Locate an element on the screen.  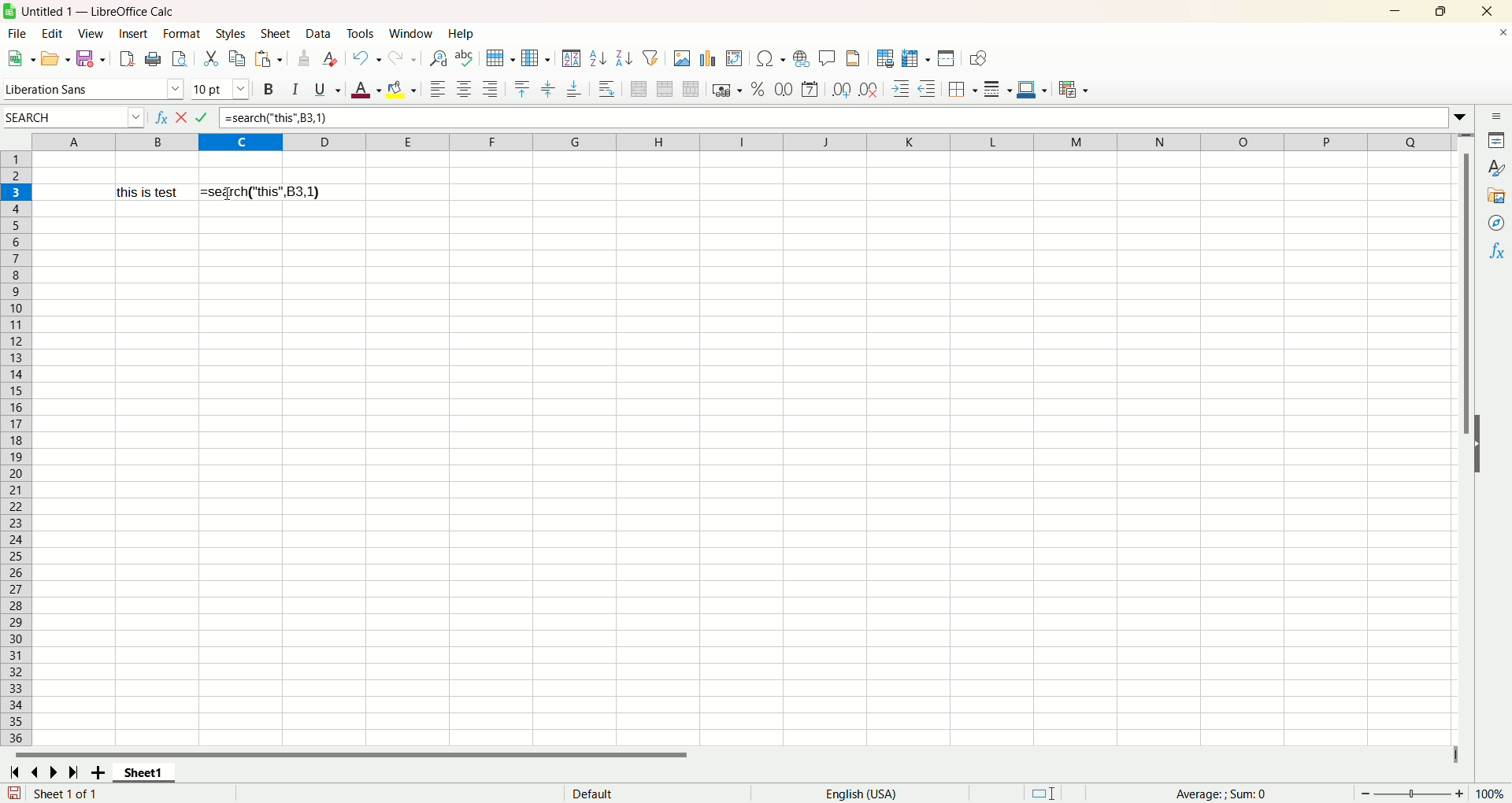
accept is located at coordinates (204, 119).